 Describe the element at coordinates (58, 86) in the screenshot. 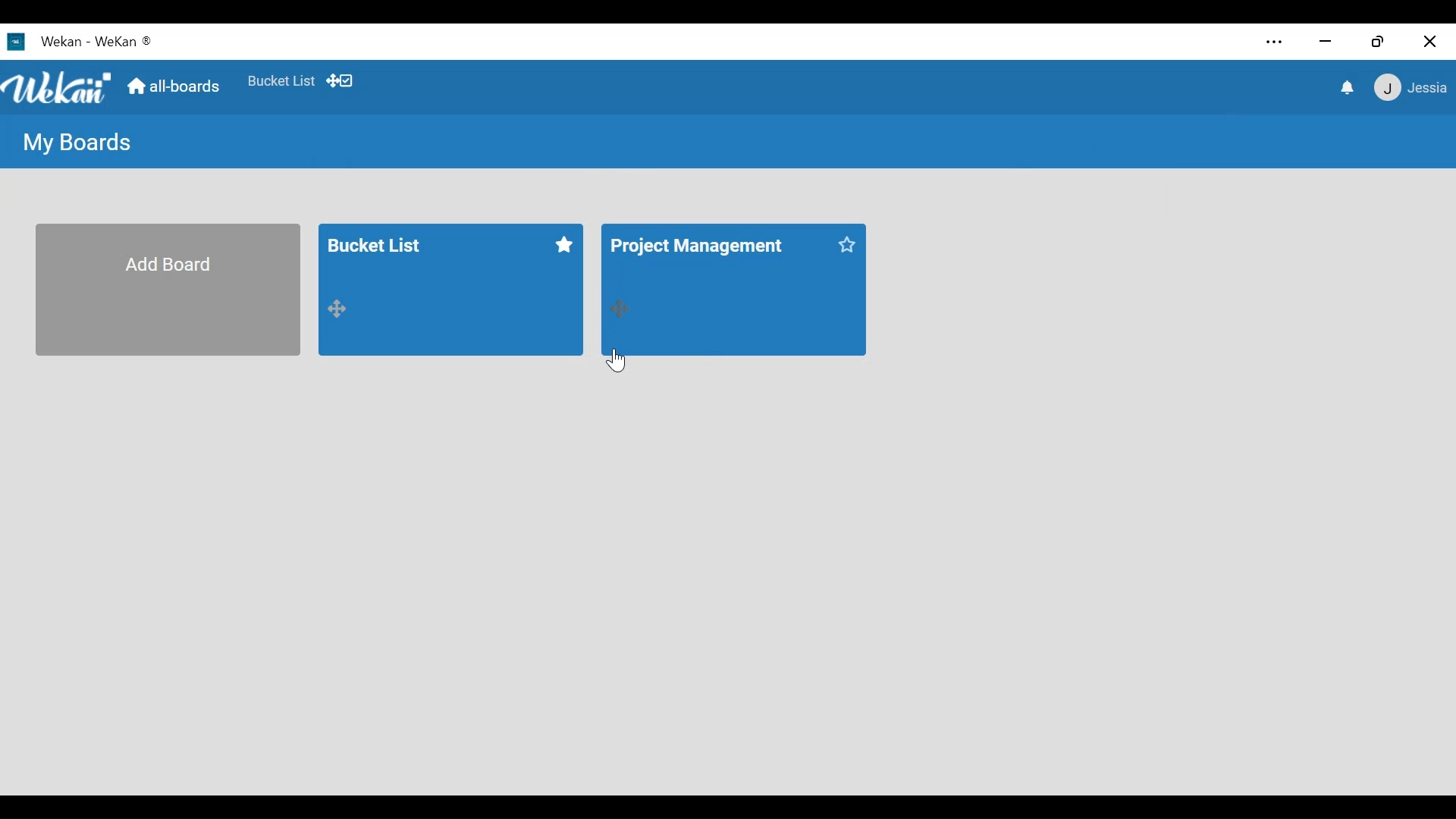

I see `Wekan logo` at that location.